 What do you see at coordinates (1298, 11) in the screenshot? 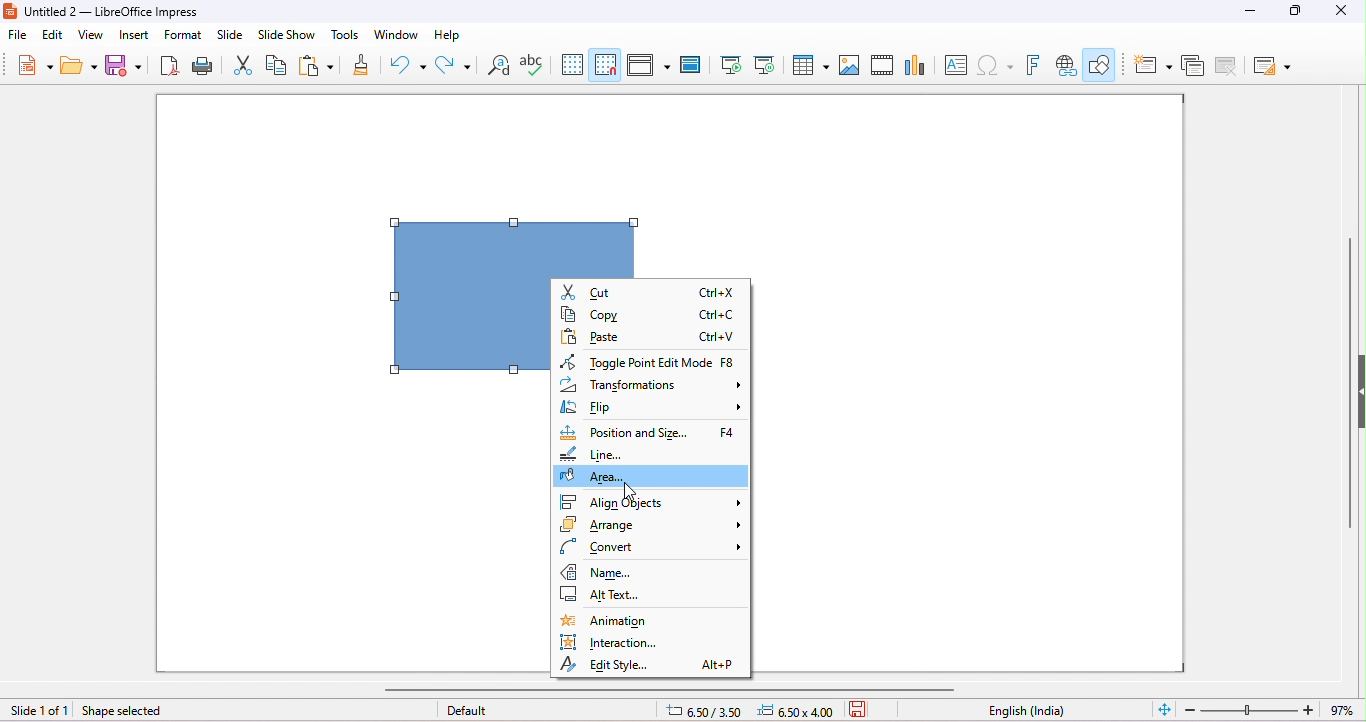
I see `maximize` at bounding box center [1298, 11].